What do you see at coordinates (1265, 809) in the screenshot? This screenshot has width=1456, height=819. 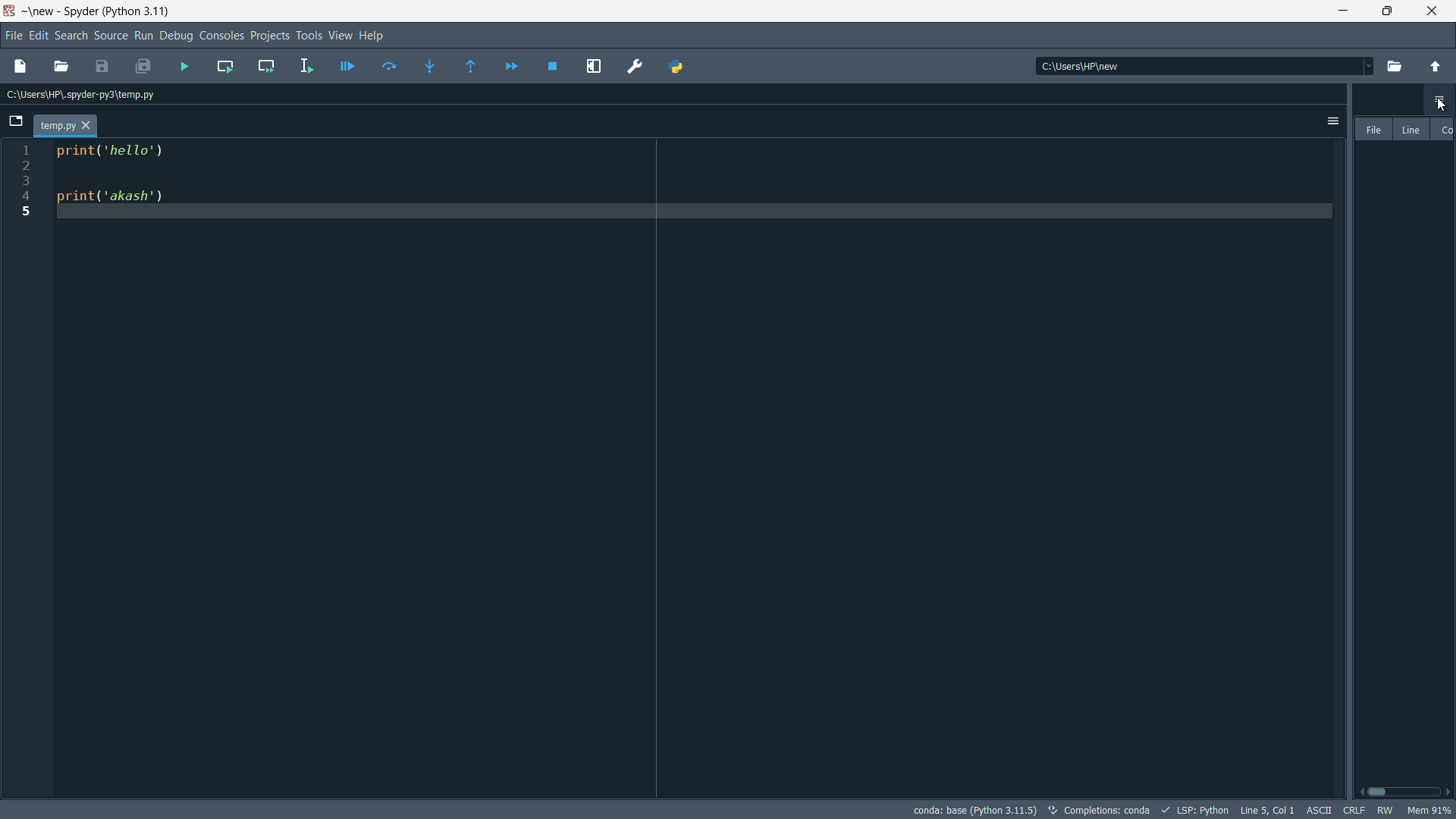 I see `cursor position` at bounding box center [1265, 809].